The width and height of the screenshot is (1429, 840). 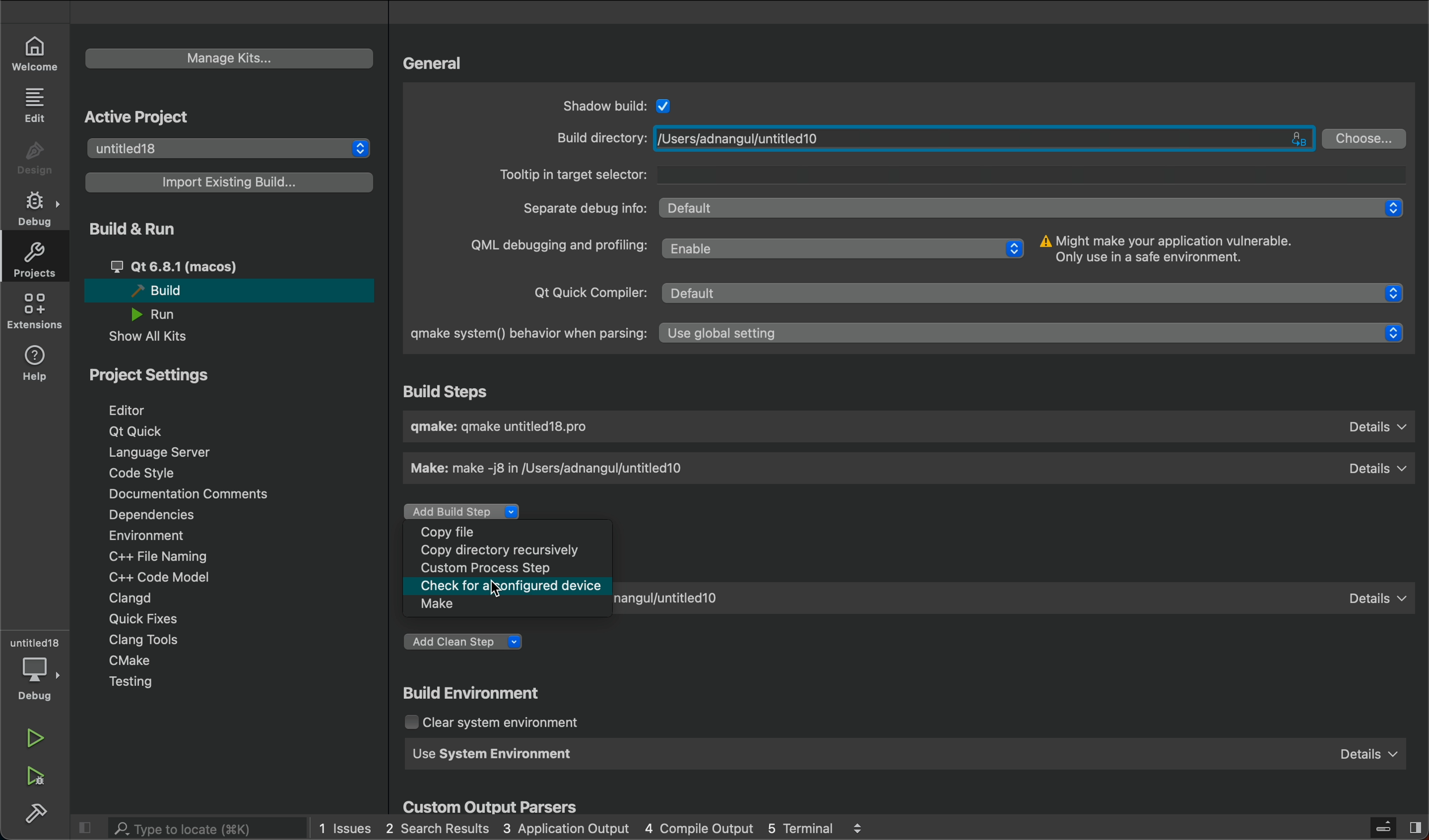 I want to click on editor, so click(x=139, y=410).